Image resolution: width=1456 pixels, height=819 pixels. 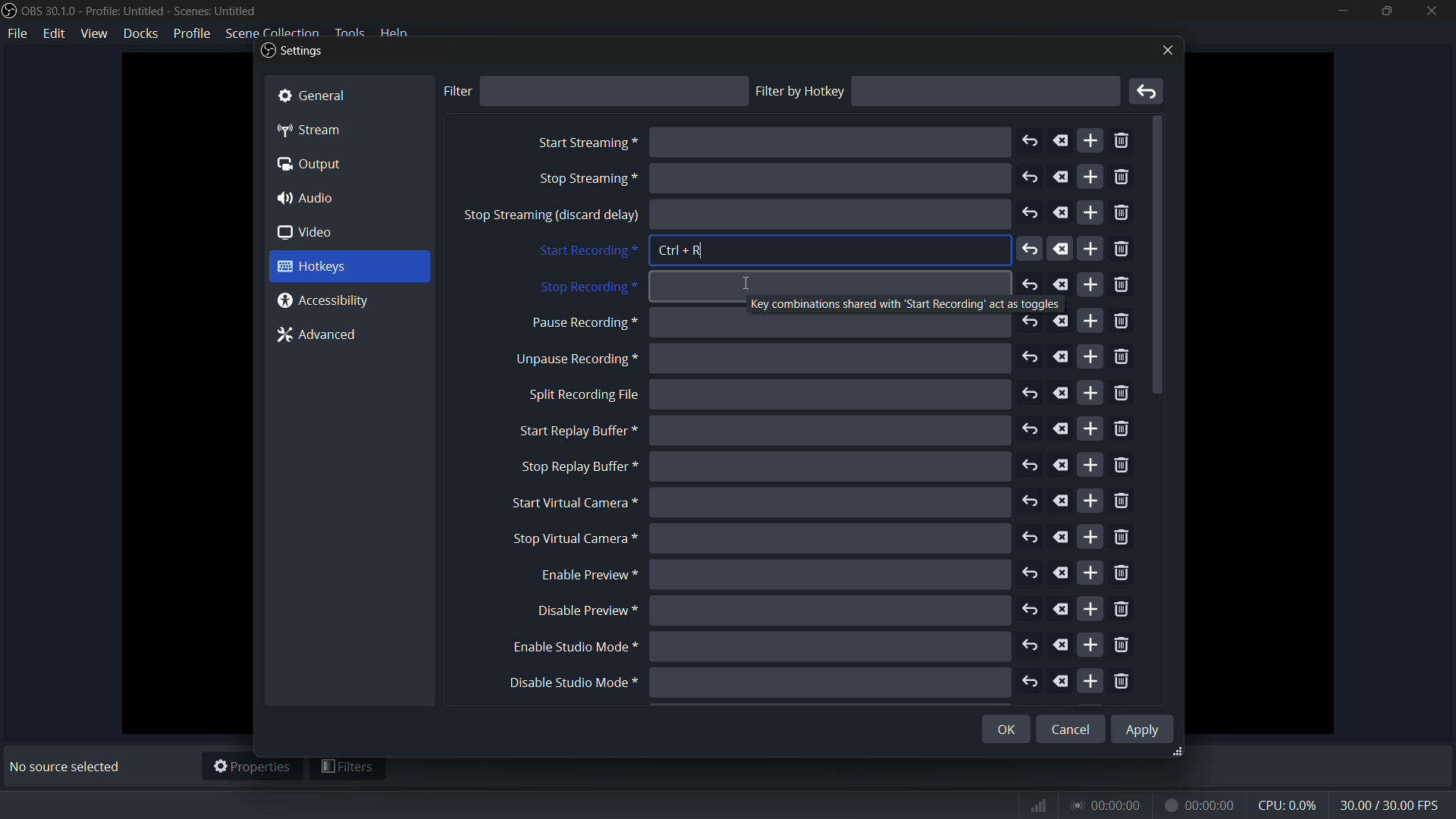 What do you see at coordinates (1091, 680) in the screenshot?
I see `add more` at bounding box center [1091, 680].